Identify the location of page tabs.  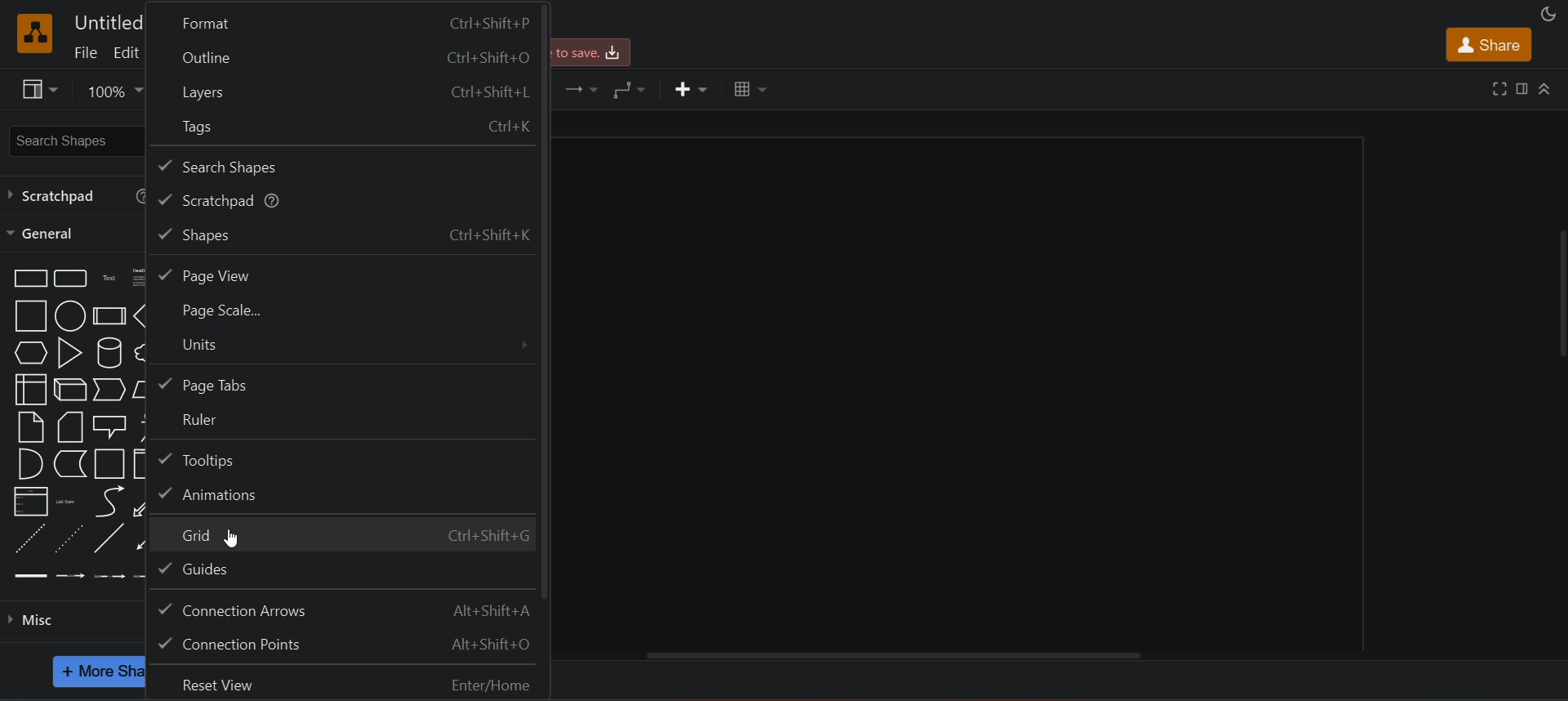
(345, 384).